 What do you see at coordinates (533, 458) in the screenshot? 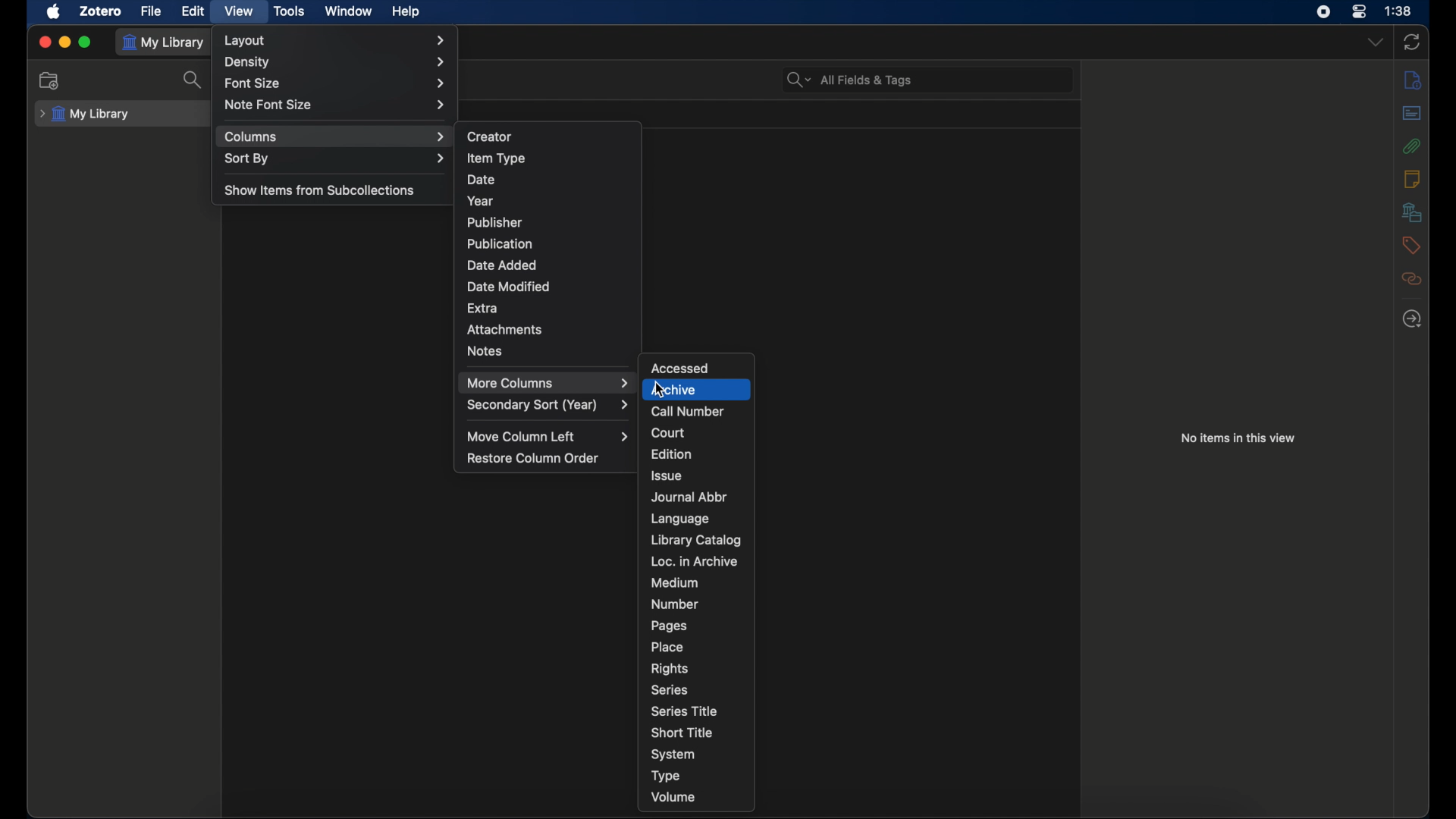
I see `restore column order` at bounding box center [533, 458].